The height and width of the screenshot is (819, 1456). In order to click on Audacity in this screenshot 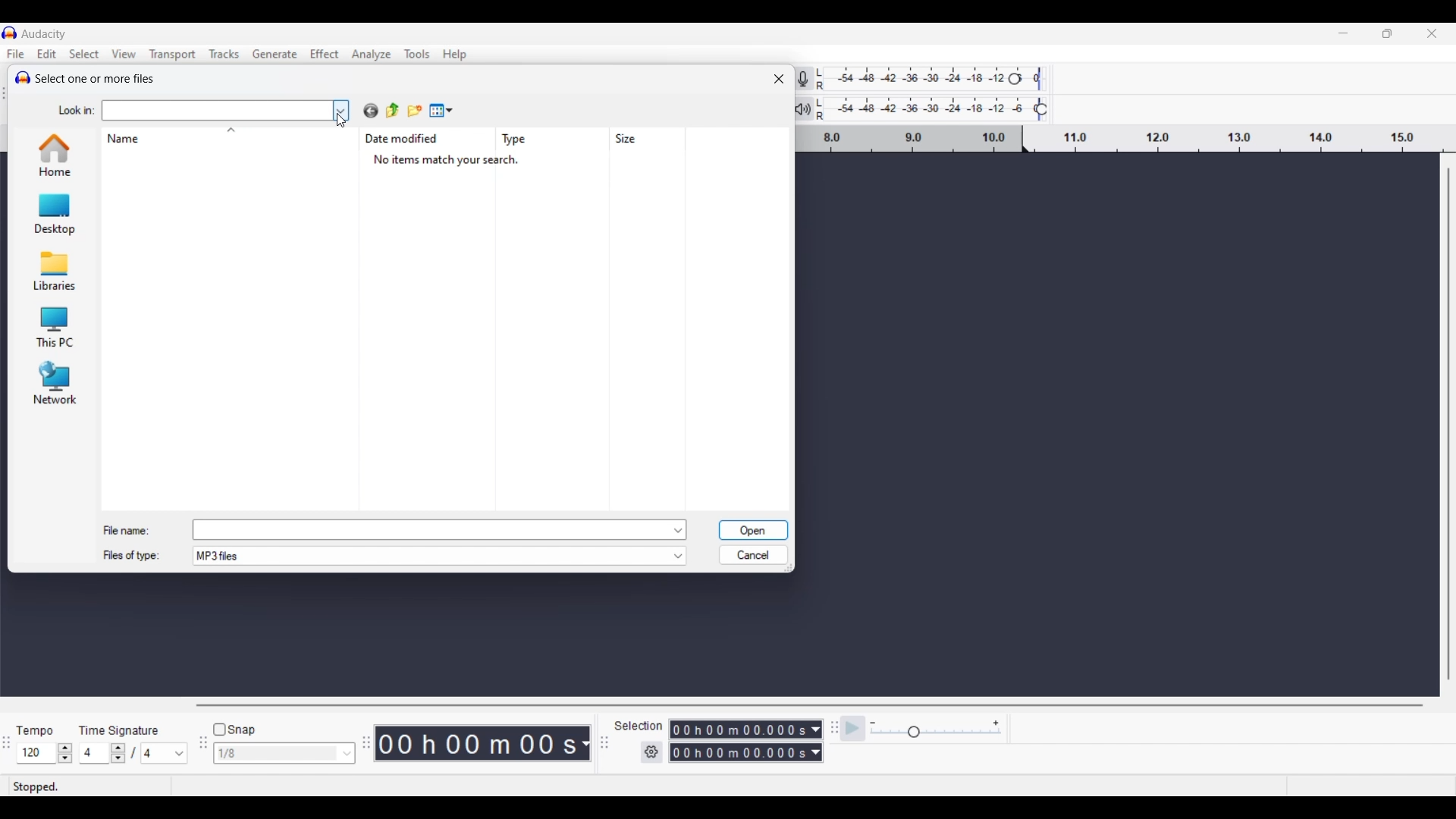, I will do `click(46, 33)`.